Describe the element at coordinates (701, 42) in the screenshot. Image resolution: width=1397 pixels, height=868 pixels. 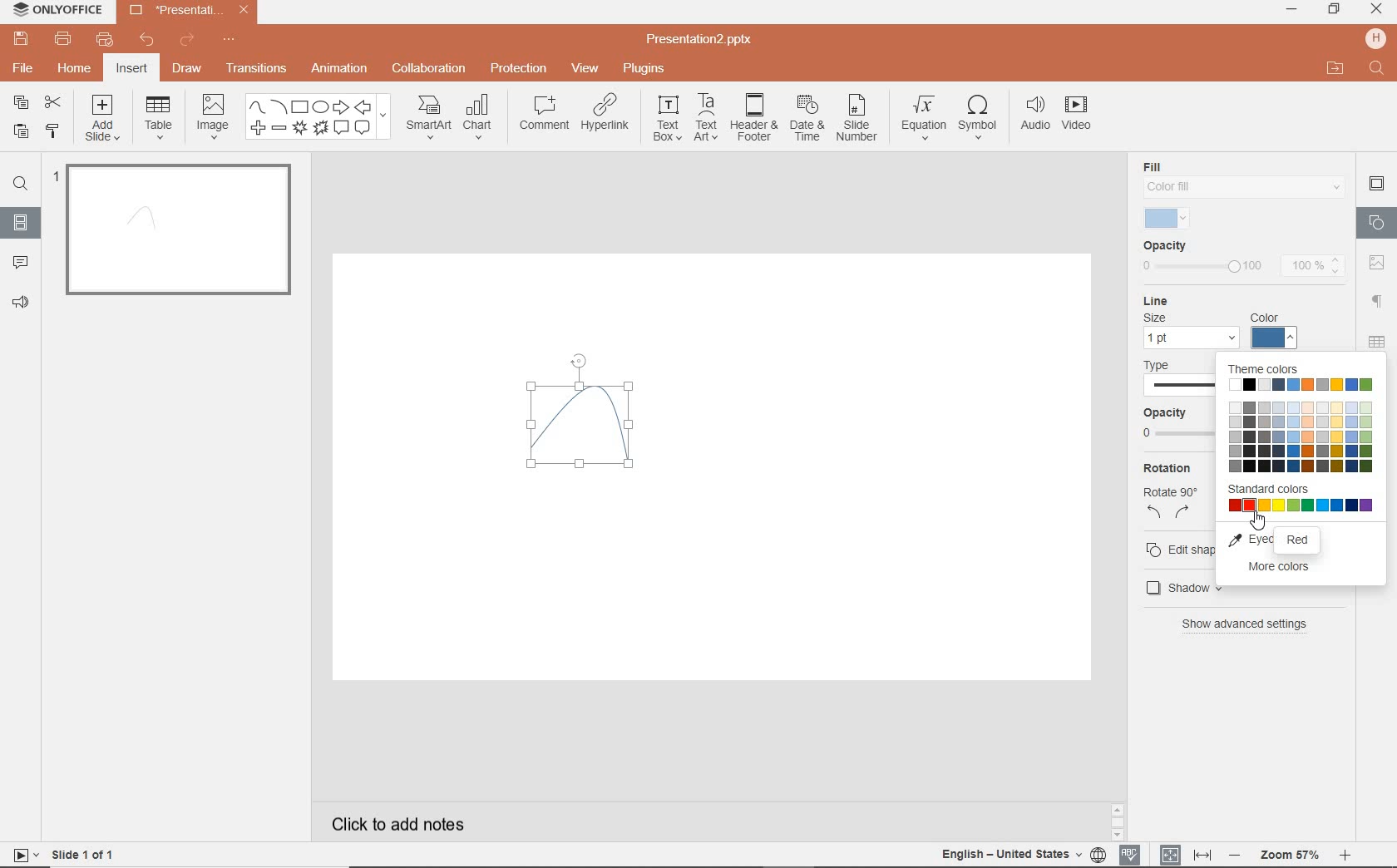
I see `Presentation2.pptx` at that location.